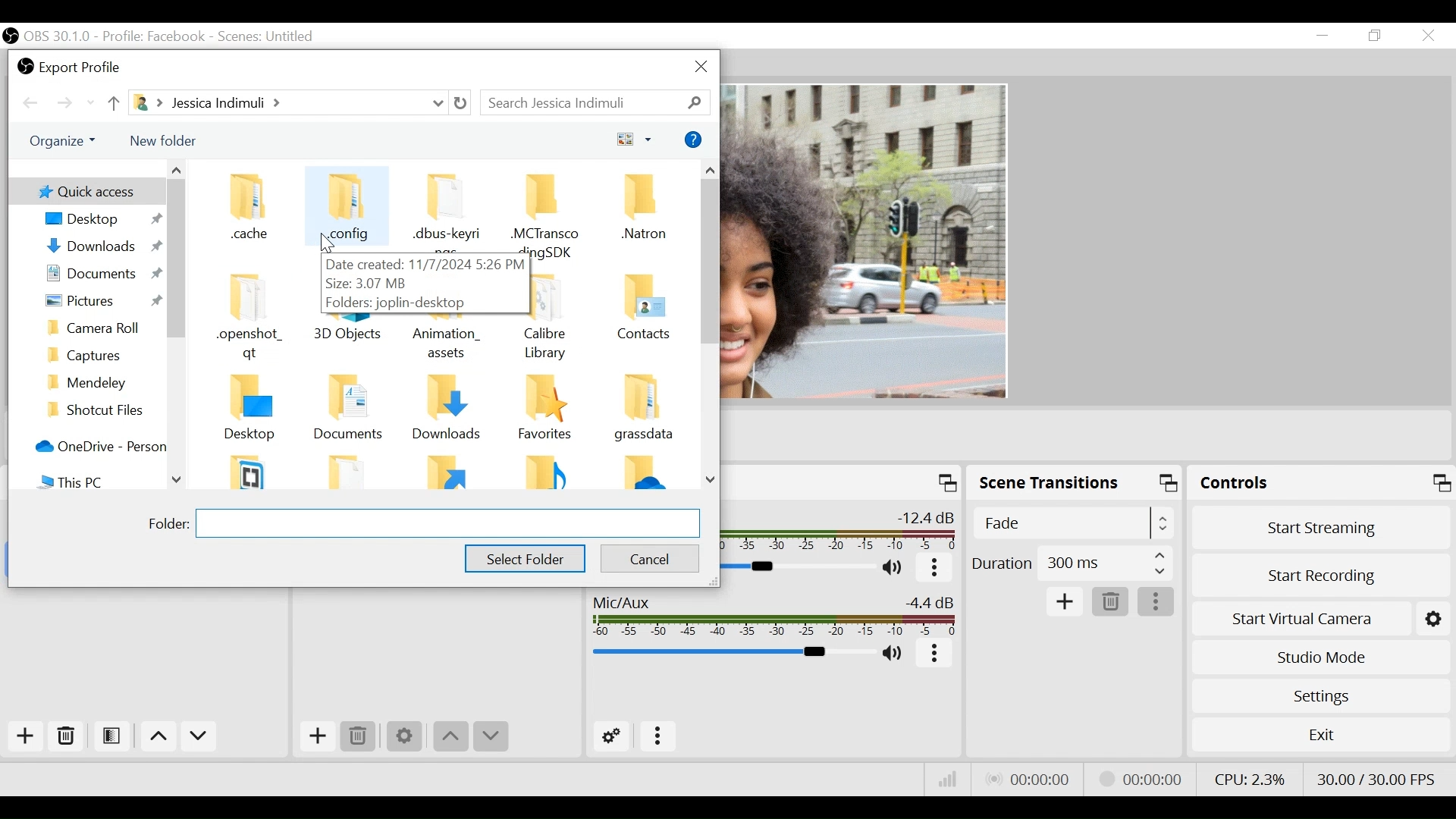  What do you see at coordinates (491, 737) in the screenshot?
I see `Move down` at bounding box center [491, 737].